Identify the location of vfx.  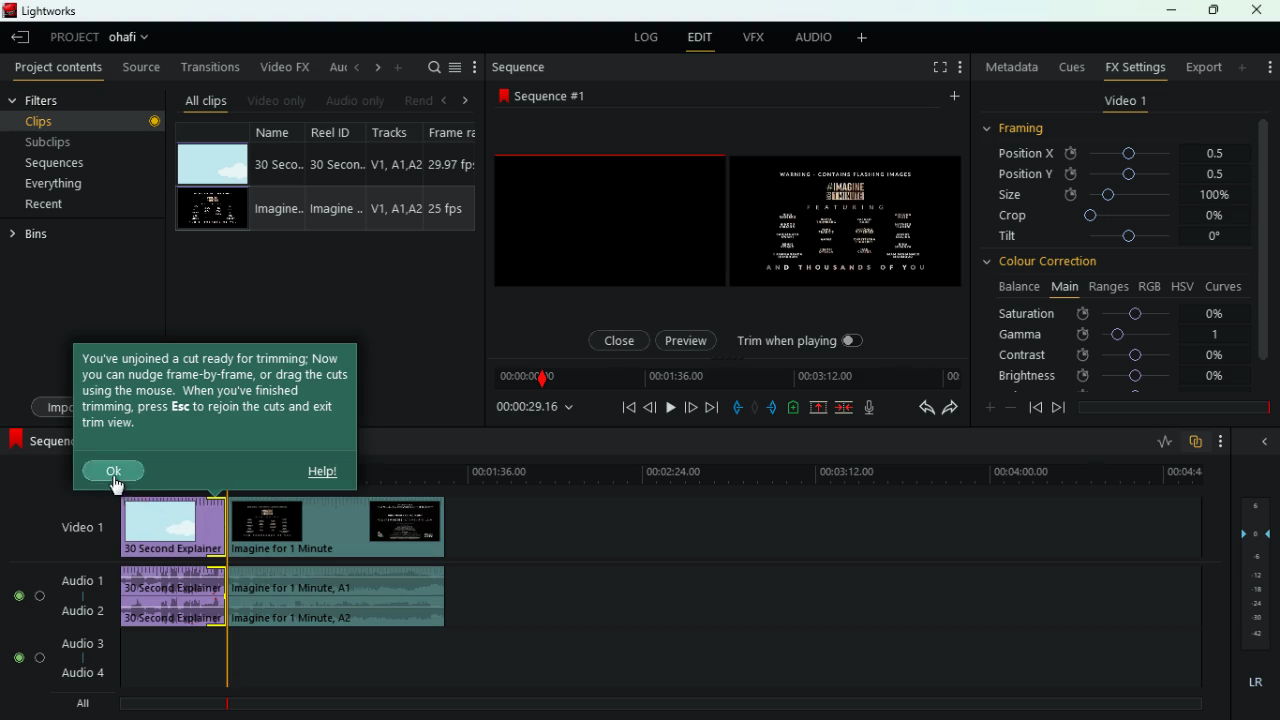
(757, 37).